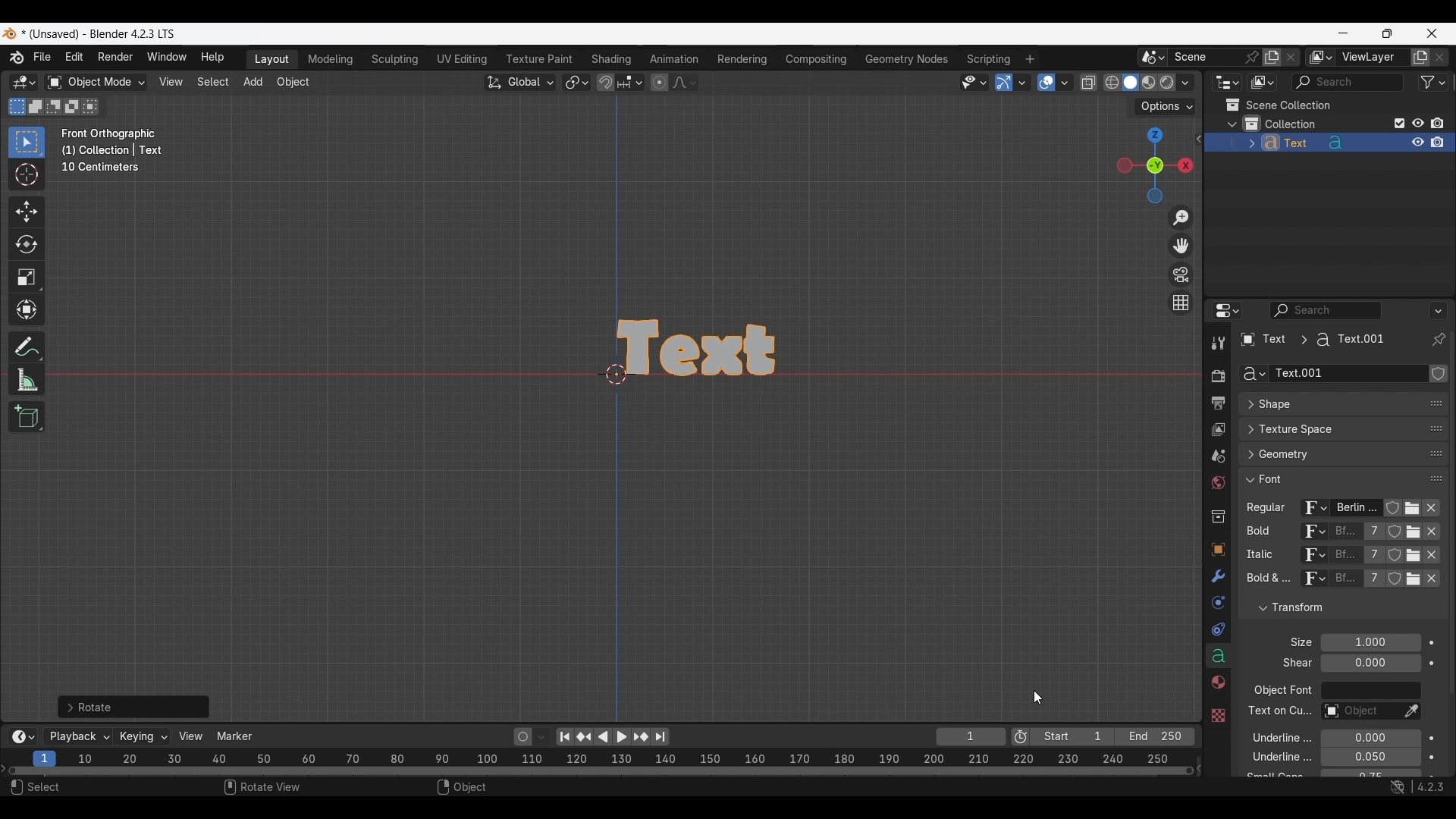 Image resolution: width=1456 pixels, height=819 pixels. I want to click on Constraints, so click(1218, 630).